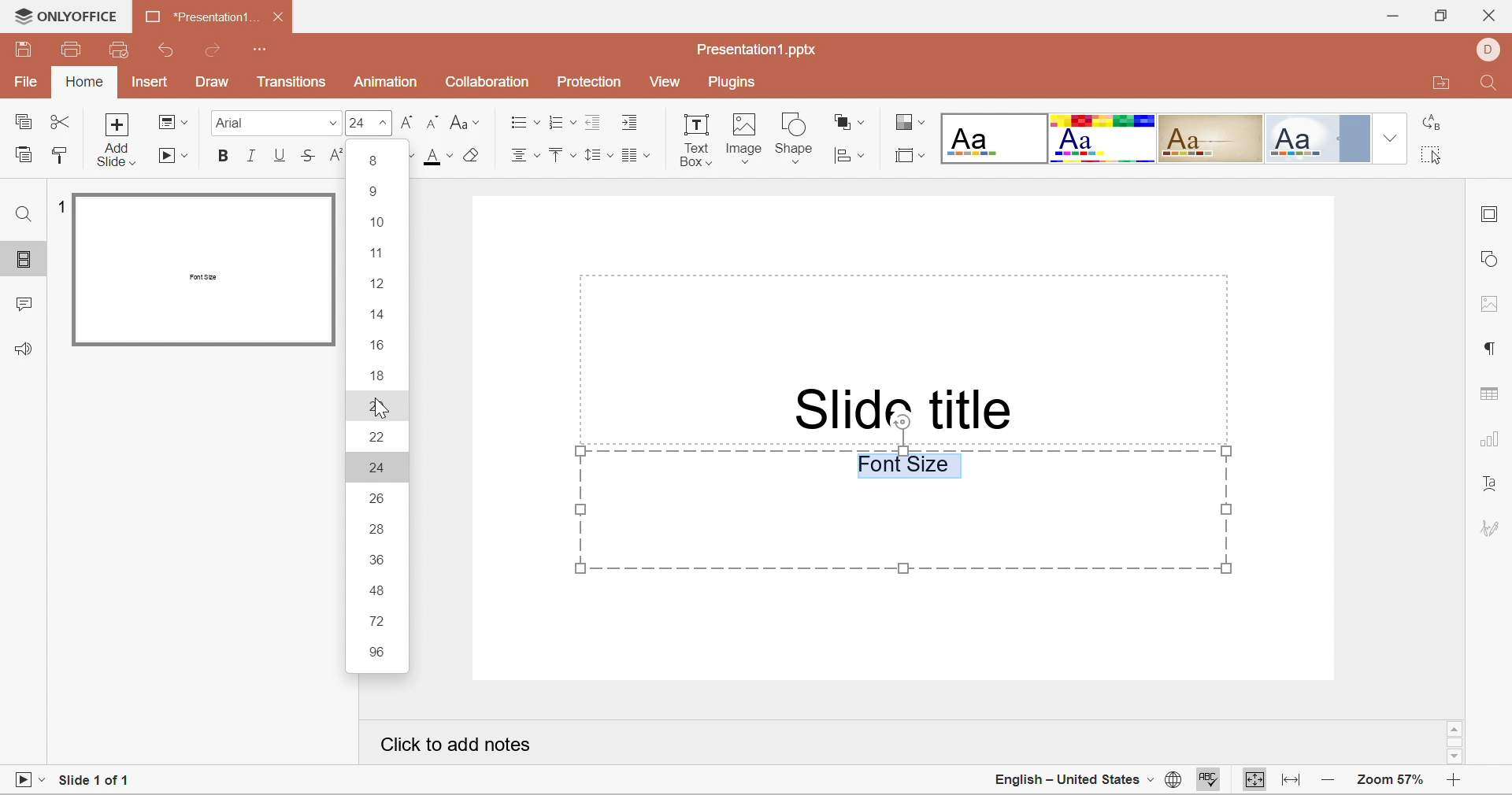 Image resolution: width=1512 pixels, height=795 pixels. I want to click on File, so click(23, 84).